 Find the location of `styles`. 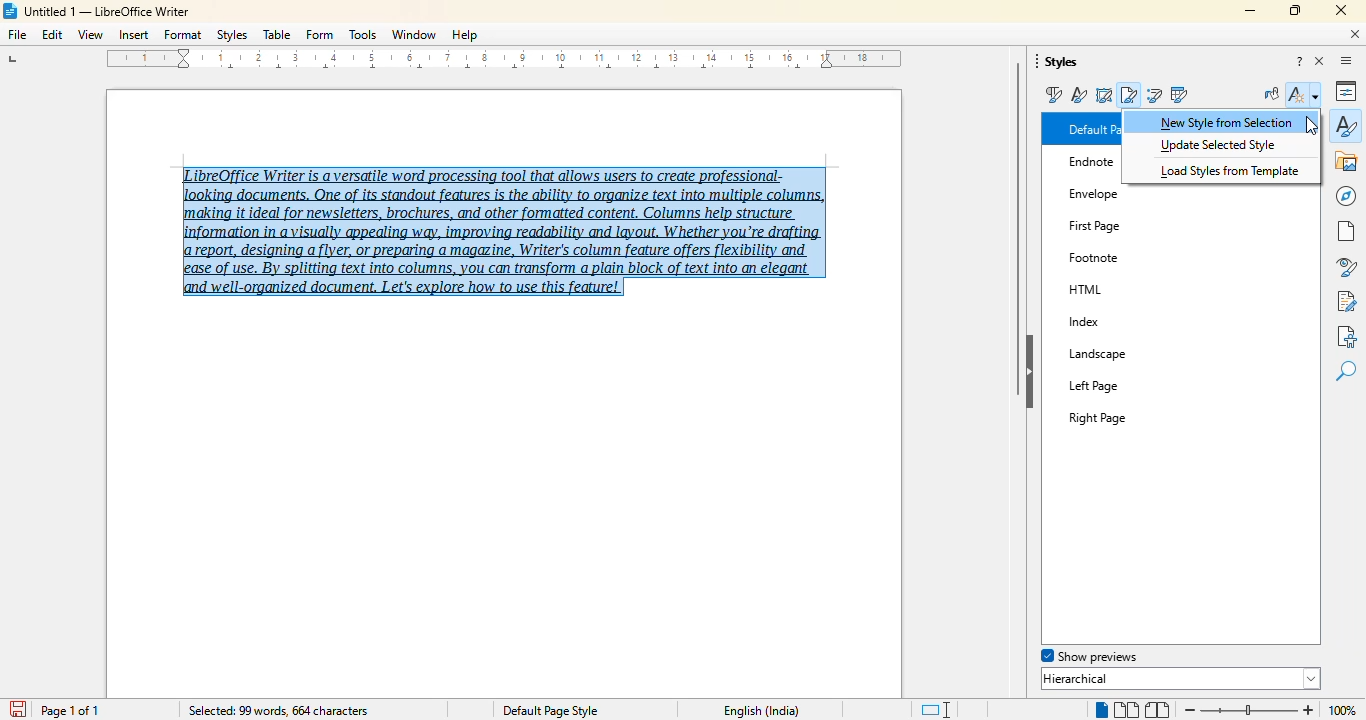

styles is located at coordinates (1059, 62).